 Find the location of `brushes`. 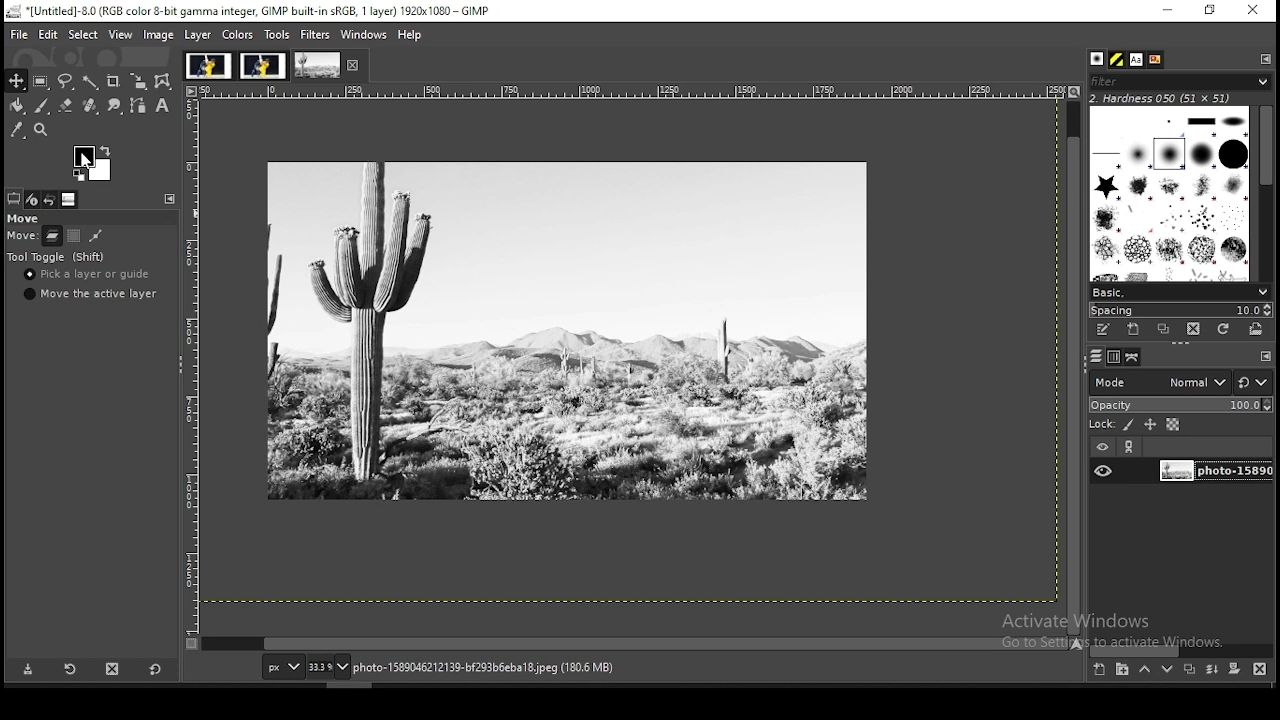

brushes is located at coordinates (1099, 59).